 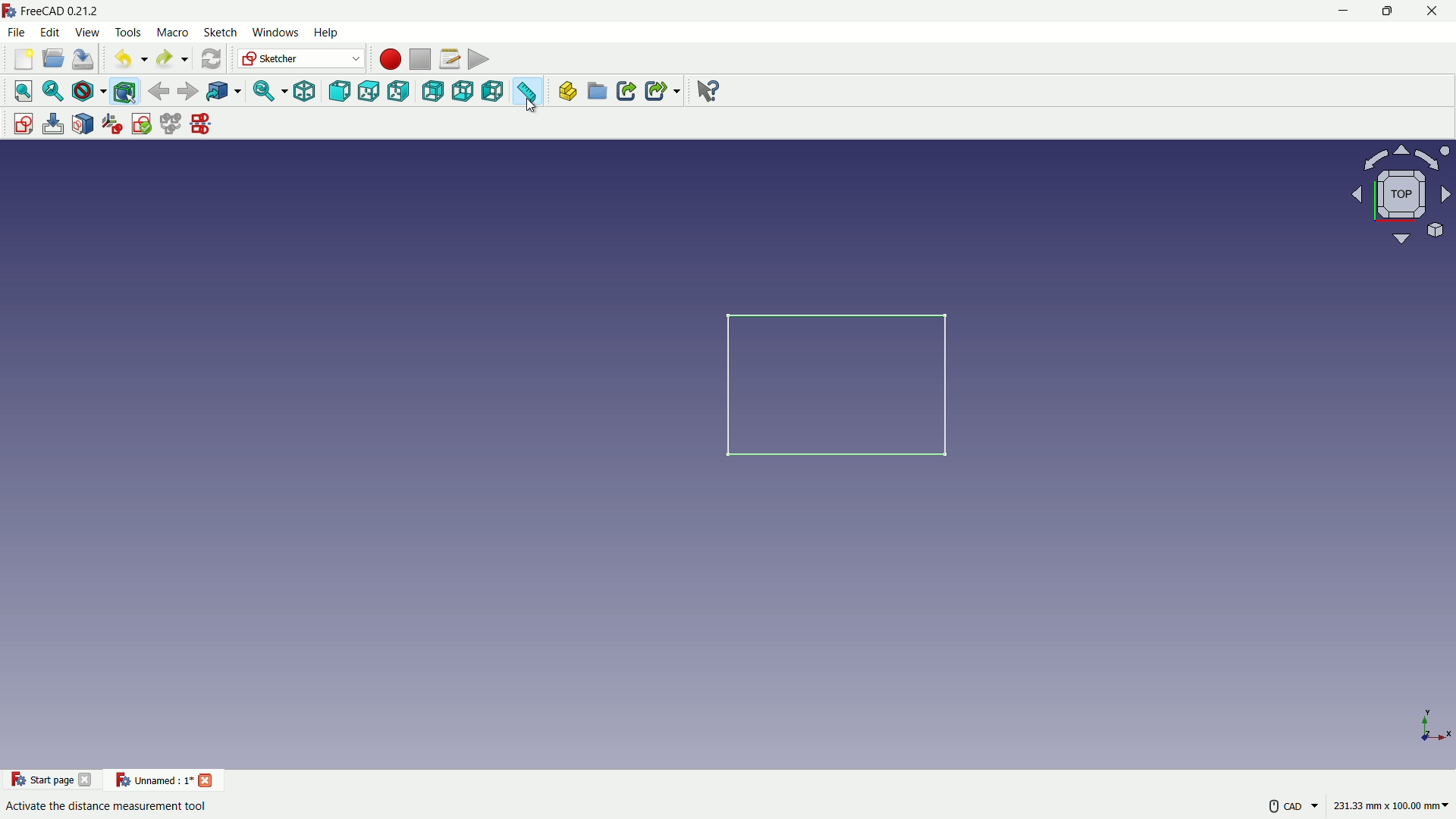 I want to click on help menu, so click(x=328, y=33).